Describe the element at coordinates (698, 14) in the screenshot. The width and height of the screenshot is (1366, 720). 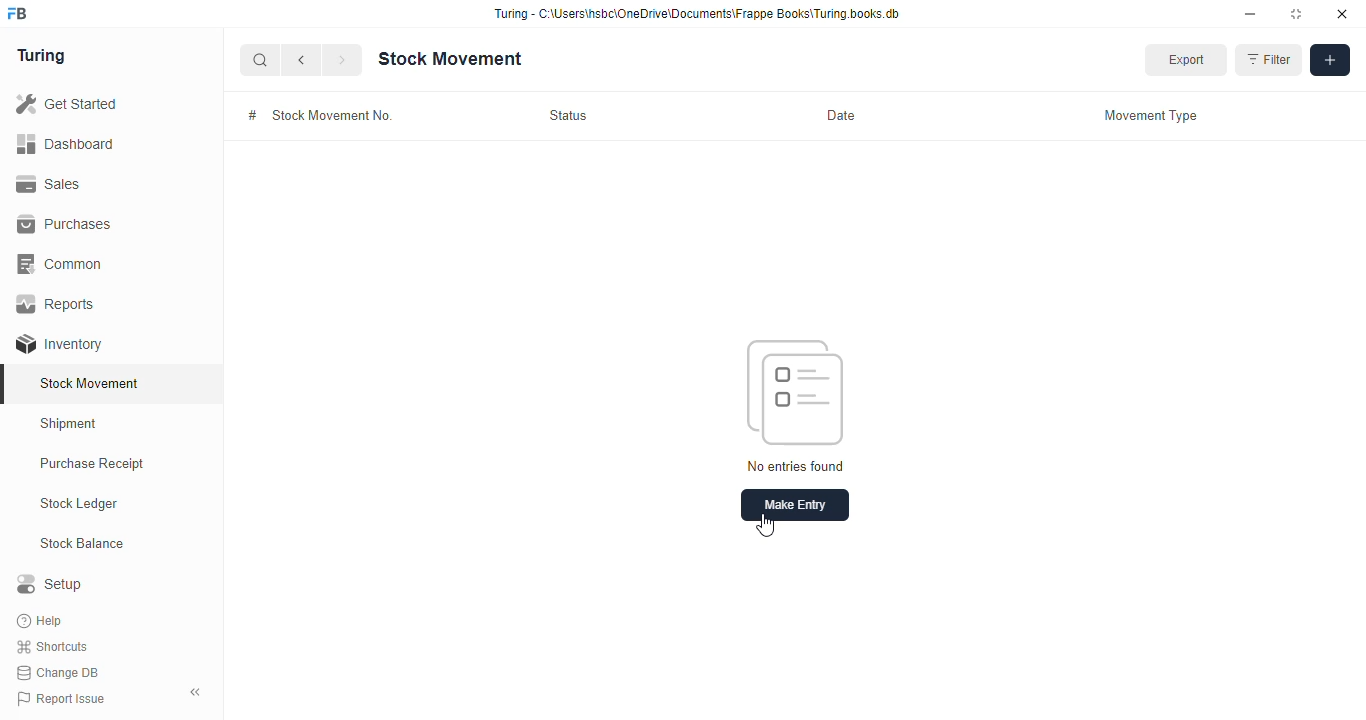
I see `Turing - C:\Users\nsbc\OneDrive\Documents\Frappe Books\Turing books.db` at that location.